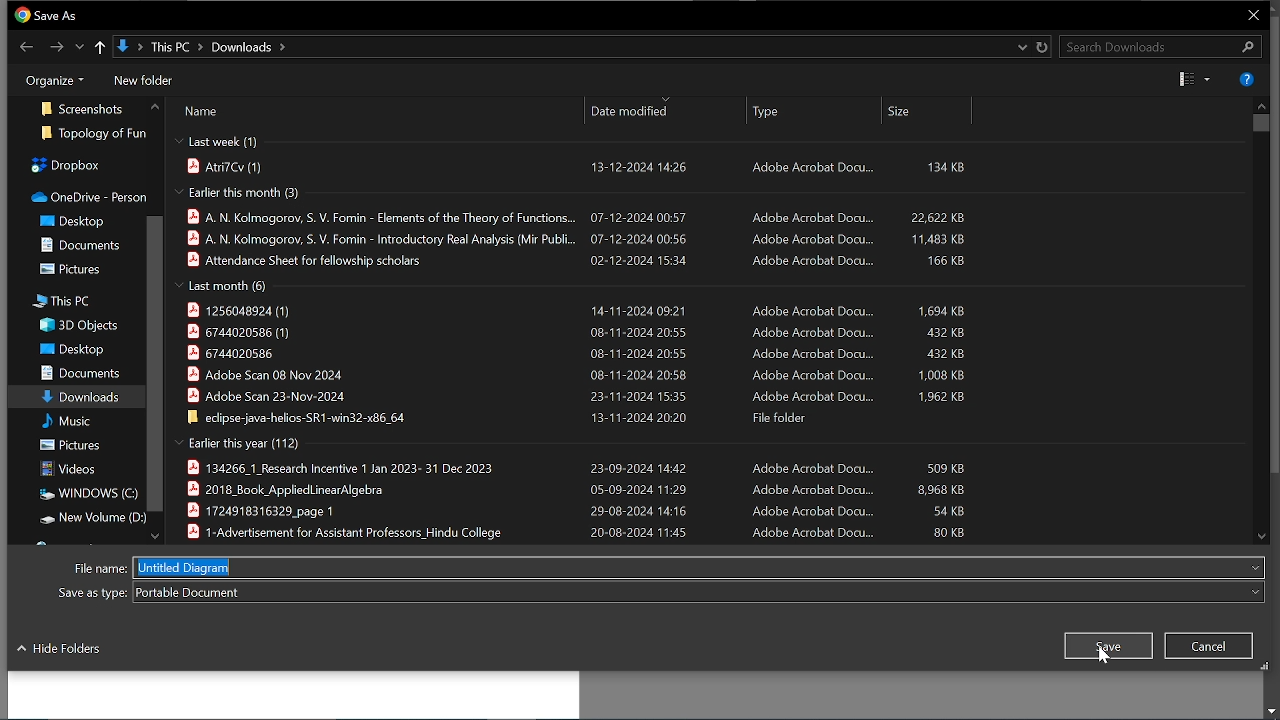 The width and height of the screenshot is (1280, 720). I want to click on Help, so click(1247, 80).